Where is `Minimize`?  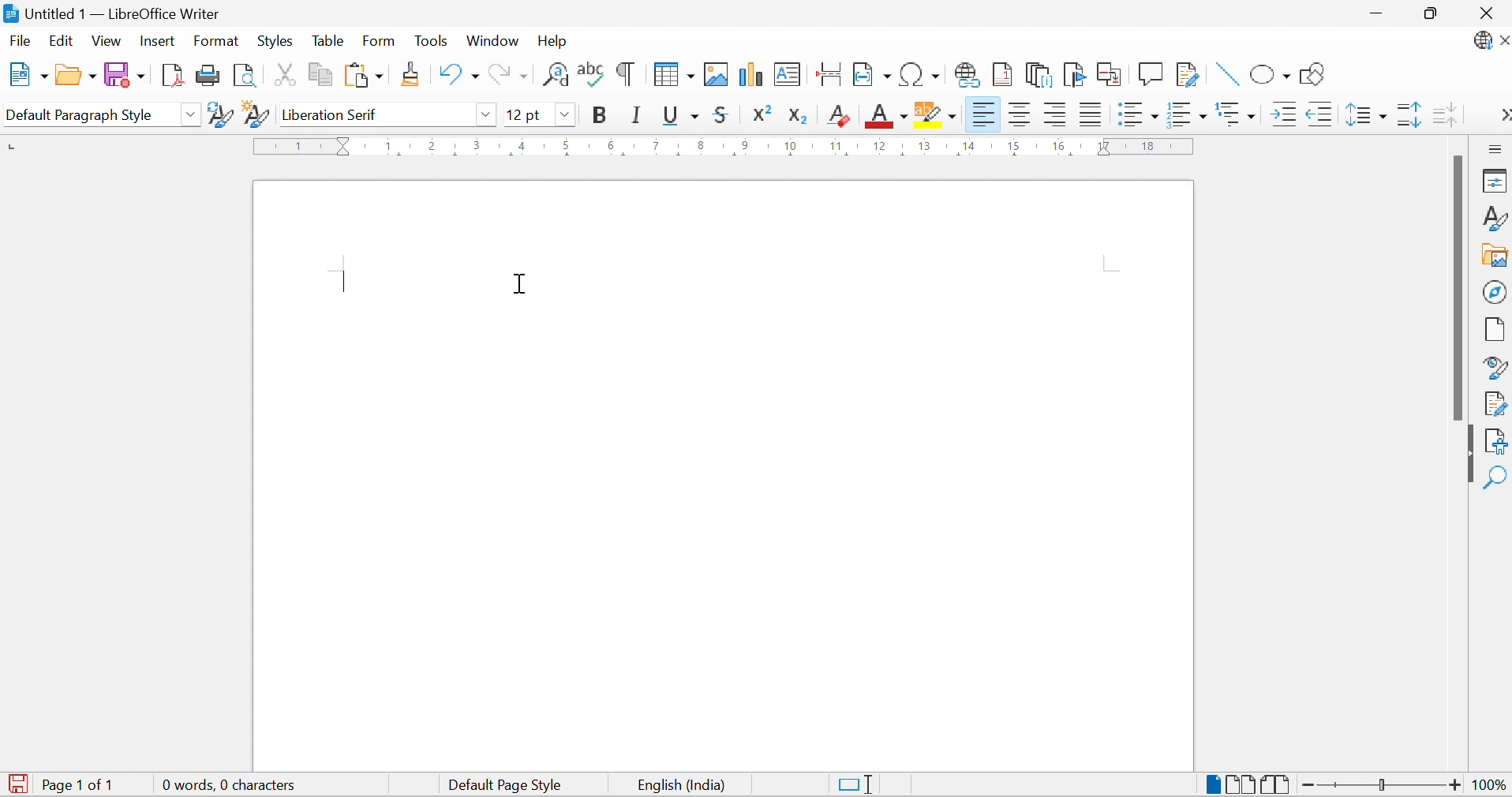
Minimize is located at coordinates (1371, 13).